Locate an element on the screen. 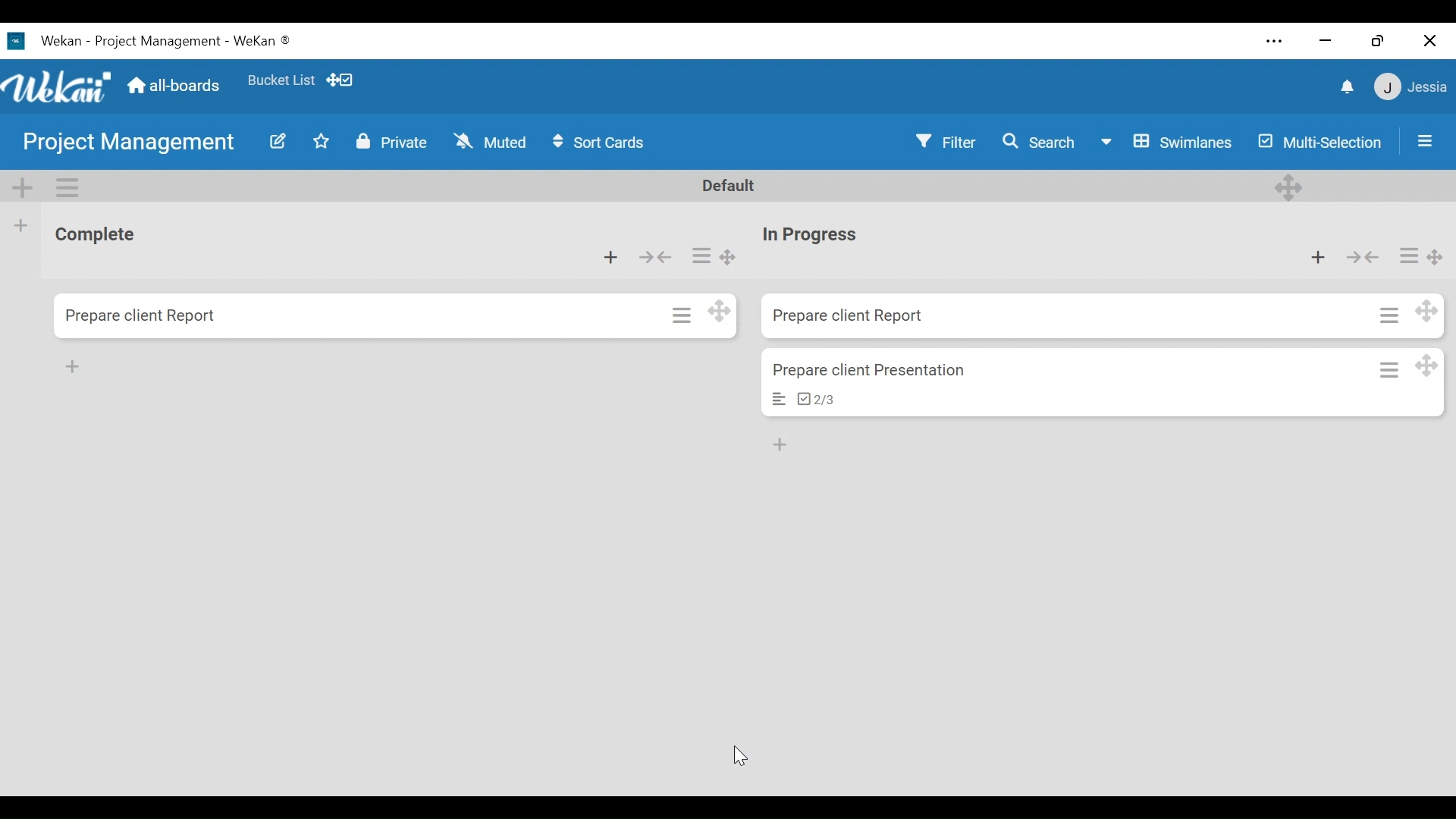 This screenshot has width=1456, height=819. Board View is located at coordinates (1163, 142).